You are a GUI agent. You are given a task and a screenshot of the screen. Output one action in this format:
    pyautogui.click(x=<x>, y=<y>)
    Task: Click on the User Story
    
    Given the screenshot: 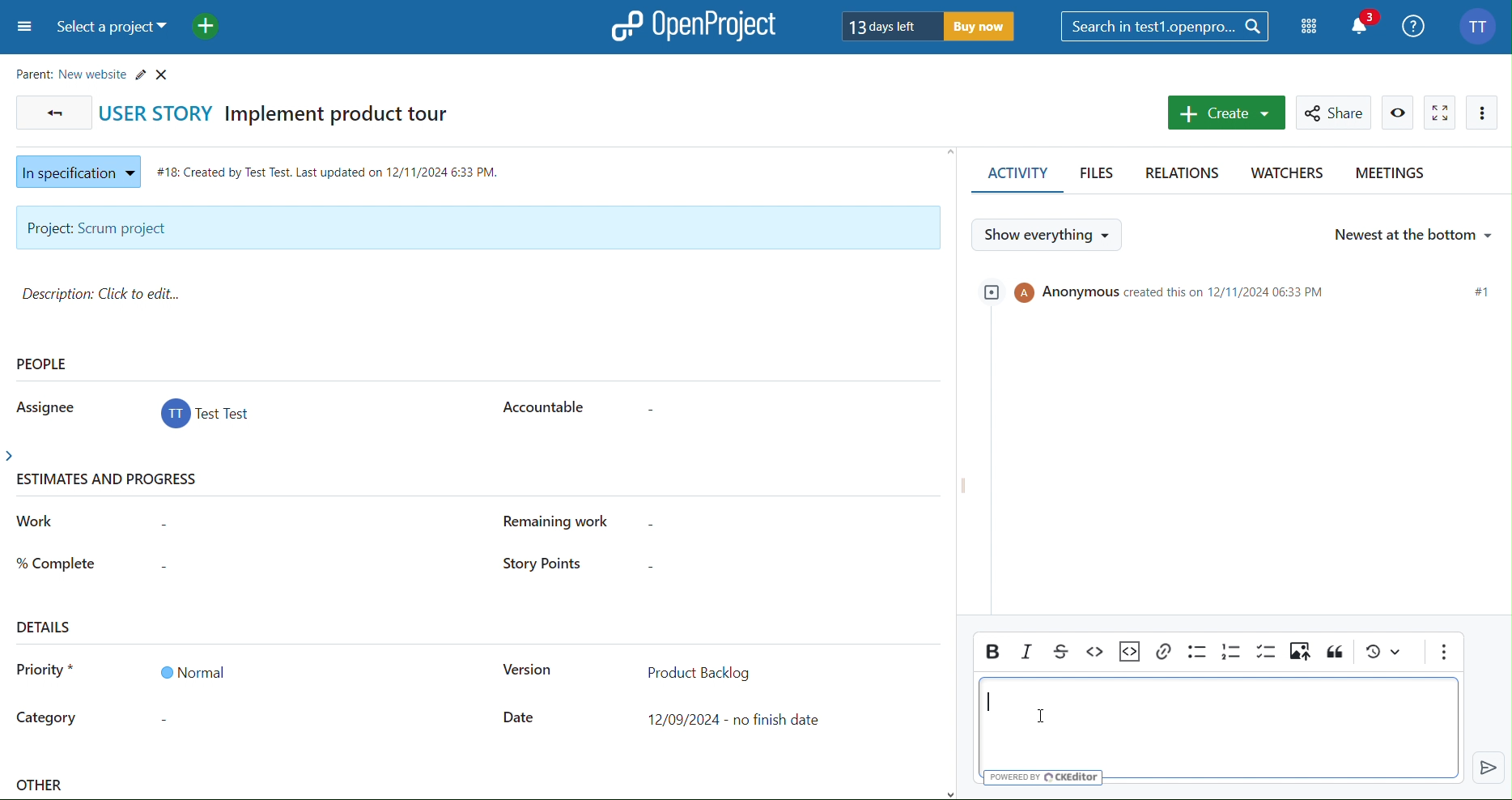 What is the action you would take?
    pyautogui.click(x=284, y=112)
    